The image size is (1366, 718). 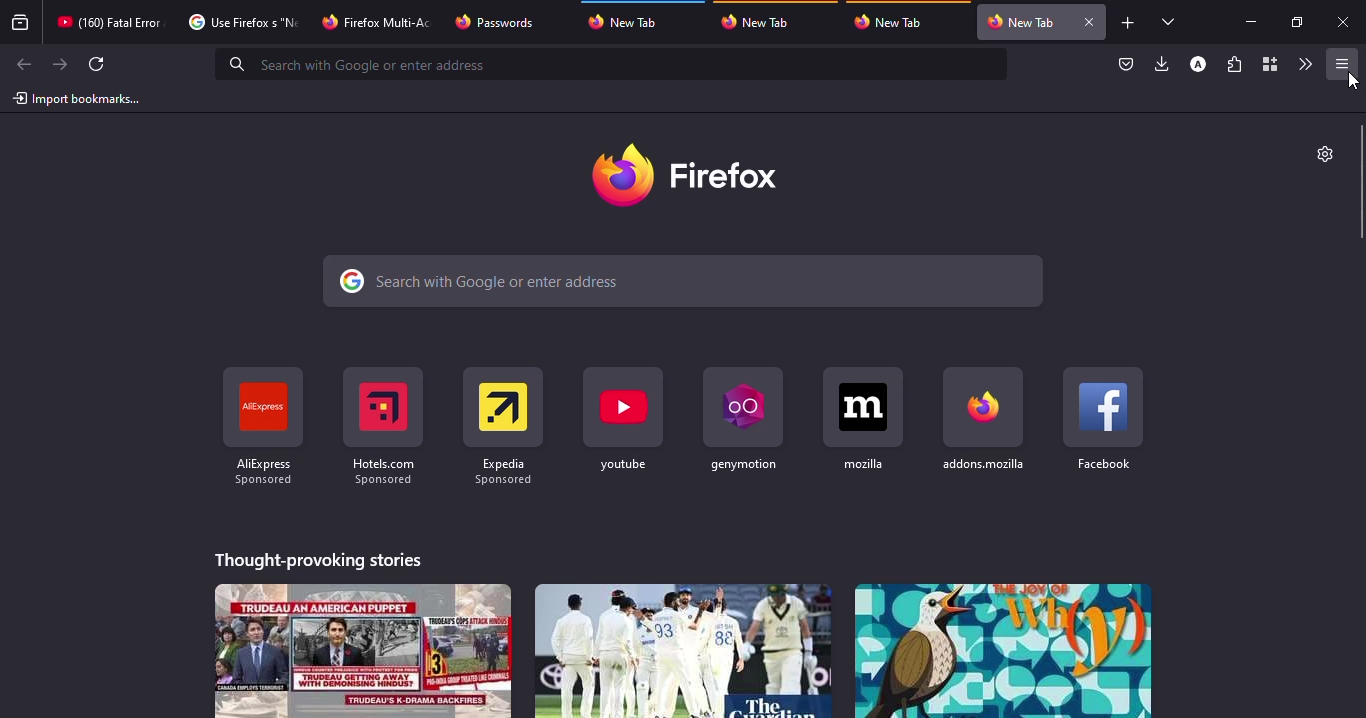 What do you see at coordinates (240, 22) in the screenshot?
I see `tab` at bounding box center [240, 22].